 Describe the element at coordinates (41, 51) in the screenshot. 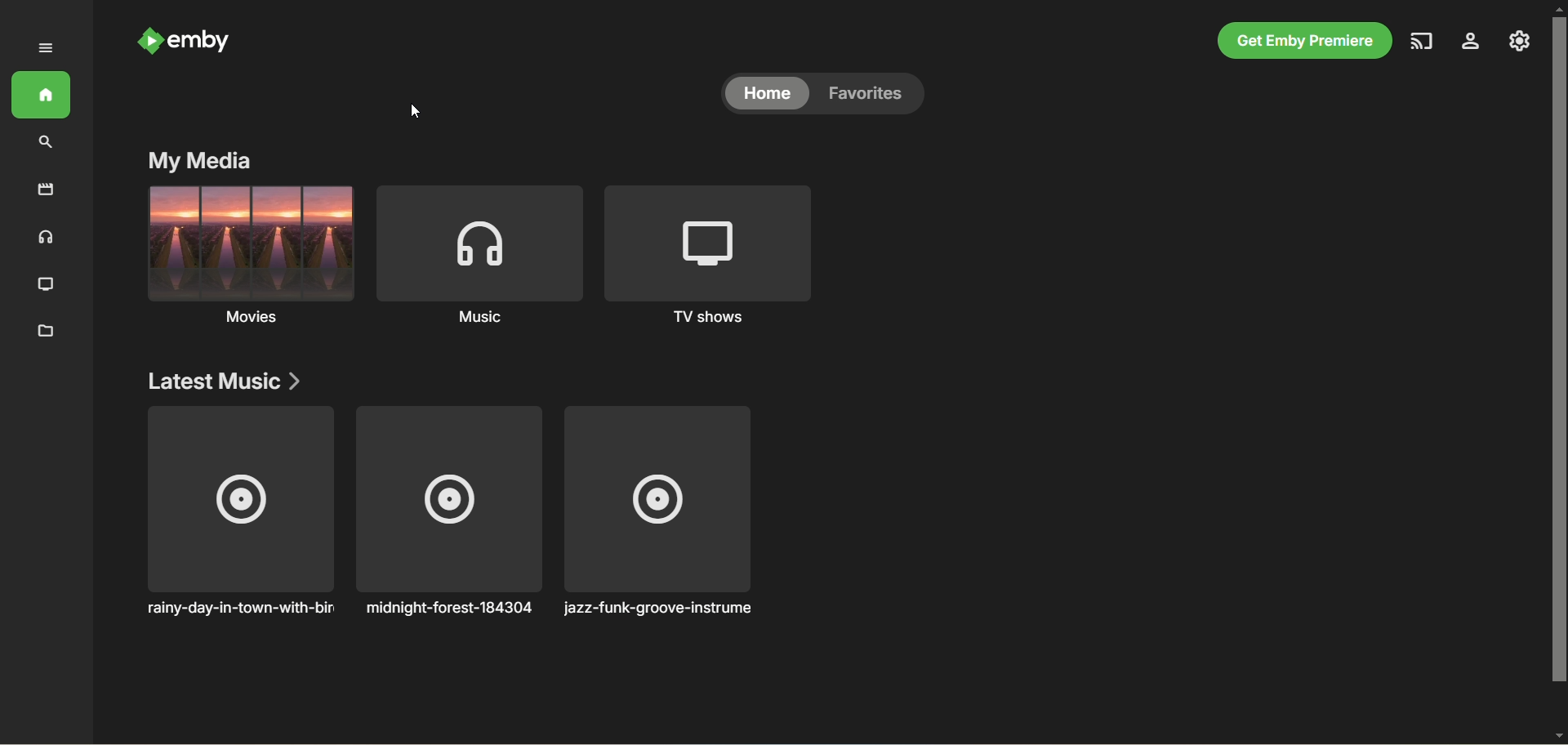

I see `Expand` at that location.